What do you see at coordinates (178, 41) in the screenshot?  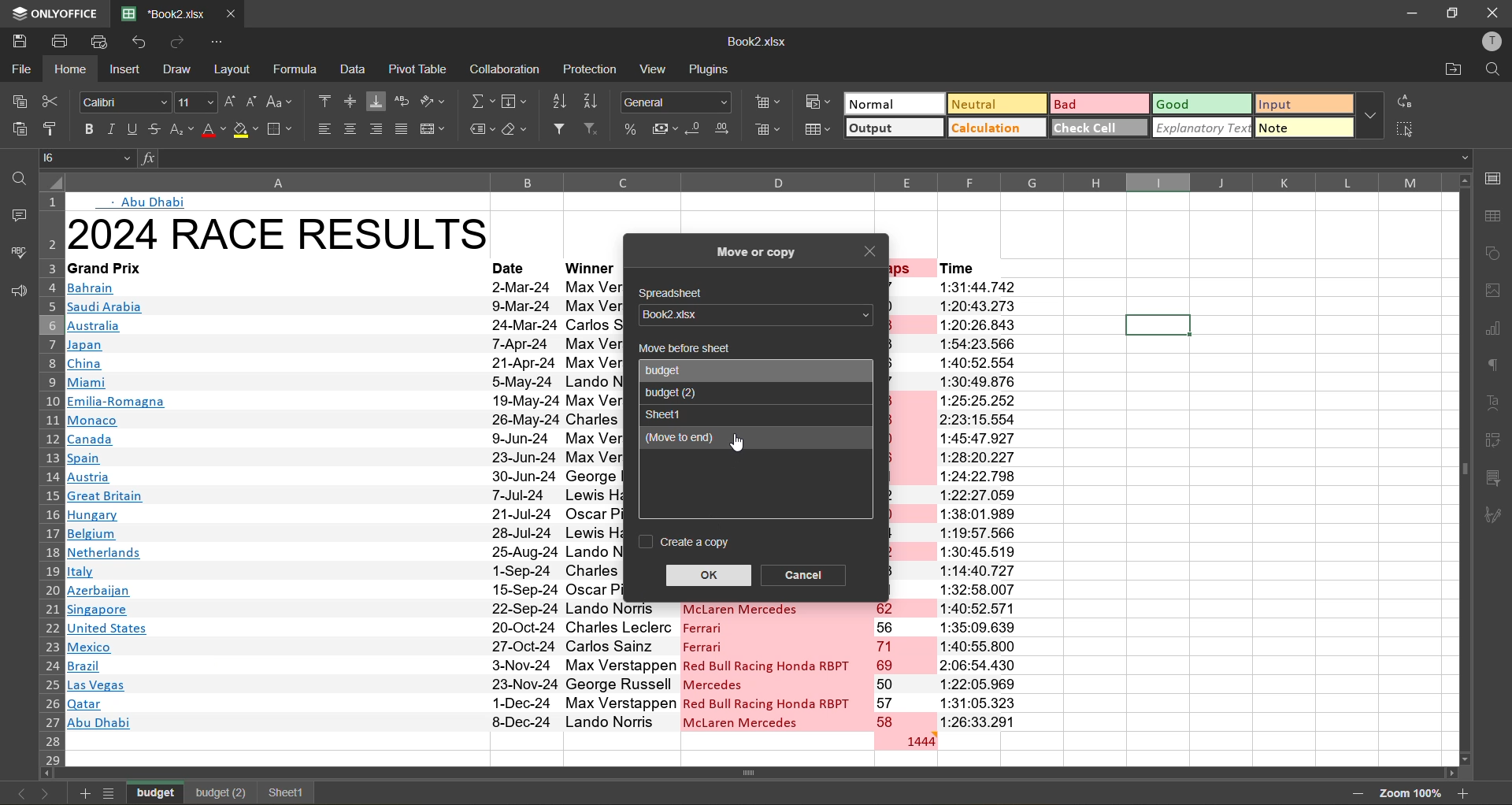 I see `redo` at bounding box center [178, 41].